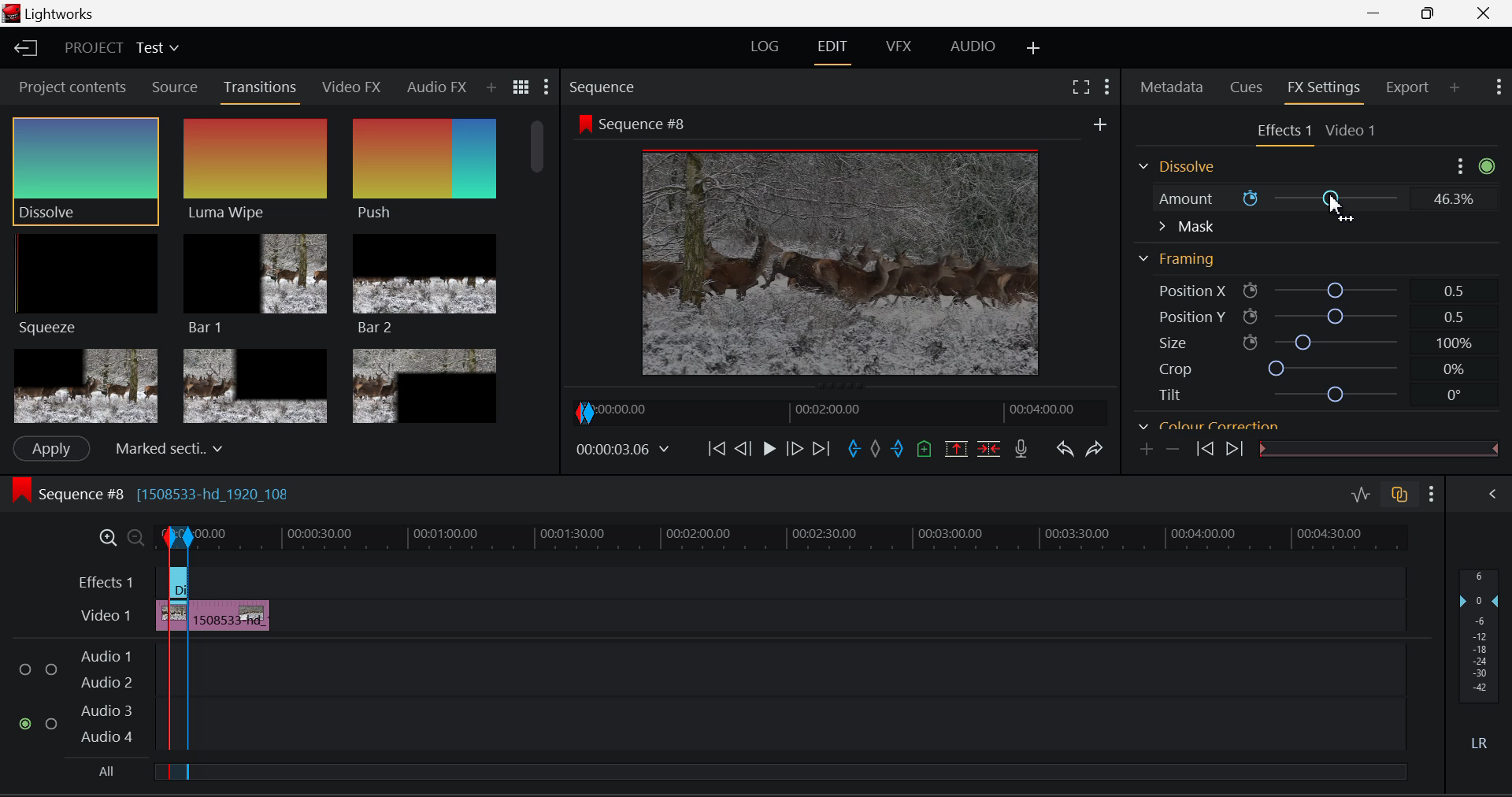 This screenshot has height=797, width=1512. I want to click on Audio 4, so click(106, 736).